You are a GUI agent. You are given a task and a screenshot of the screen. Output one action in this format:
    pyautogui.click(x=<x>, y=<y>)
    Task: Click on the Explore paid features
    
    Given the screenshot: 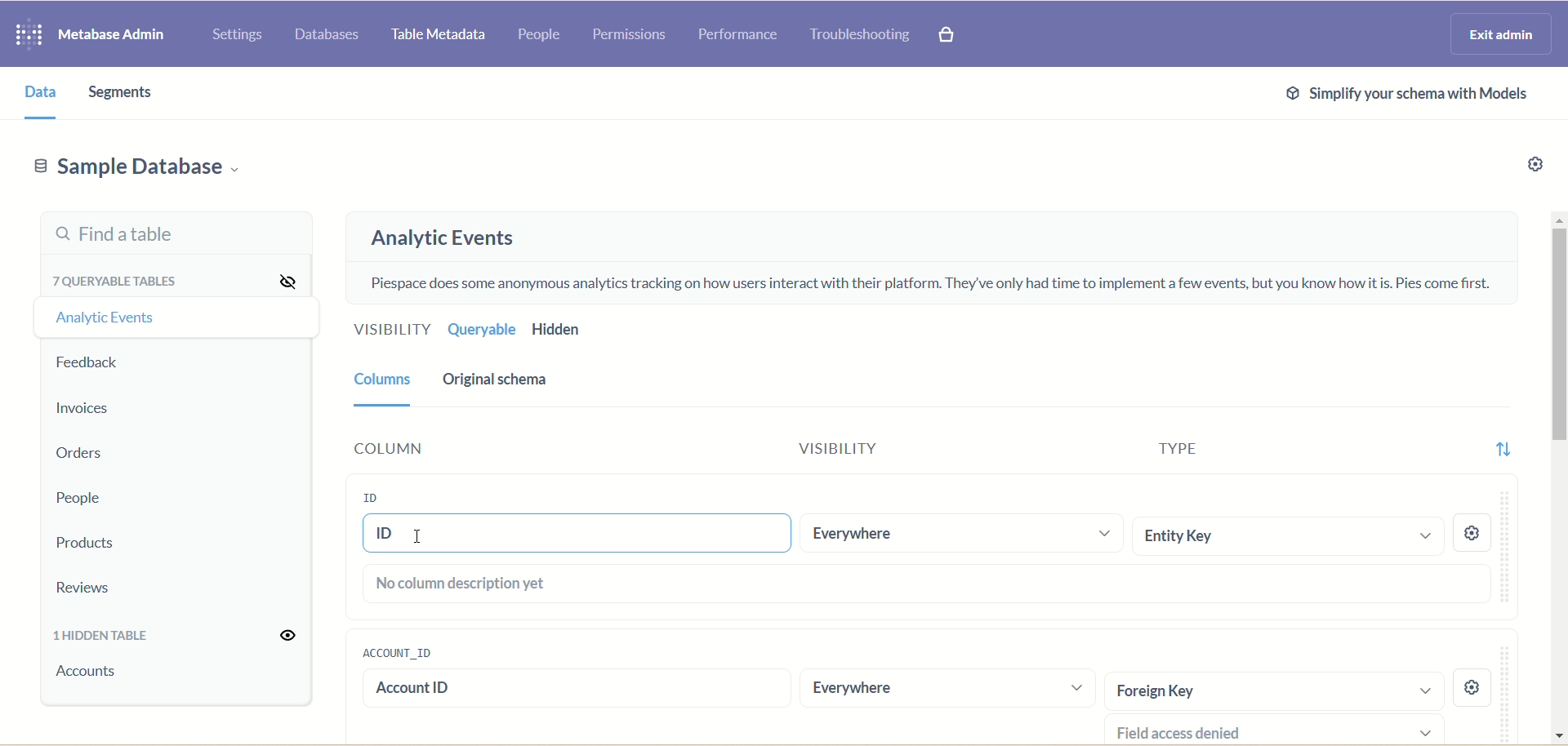 What is the action you would take?
    pyautogui.click(x=948, y=36)
    